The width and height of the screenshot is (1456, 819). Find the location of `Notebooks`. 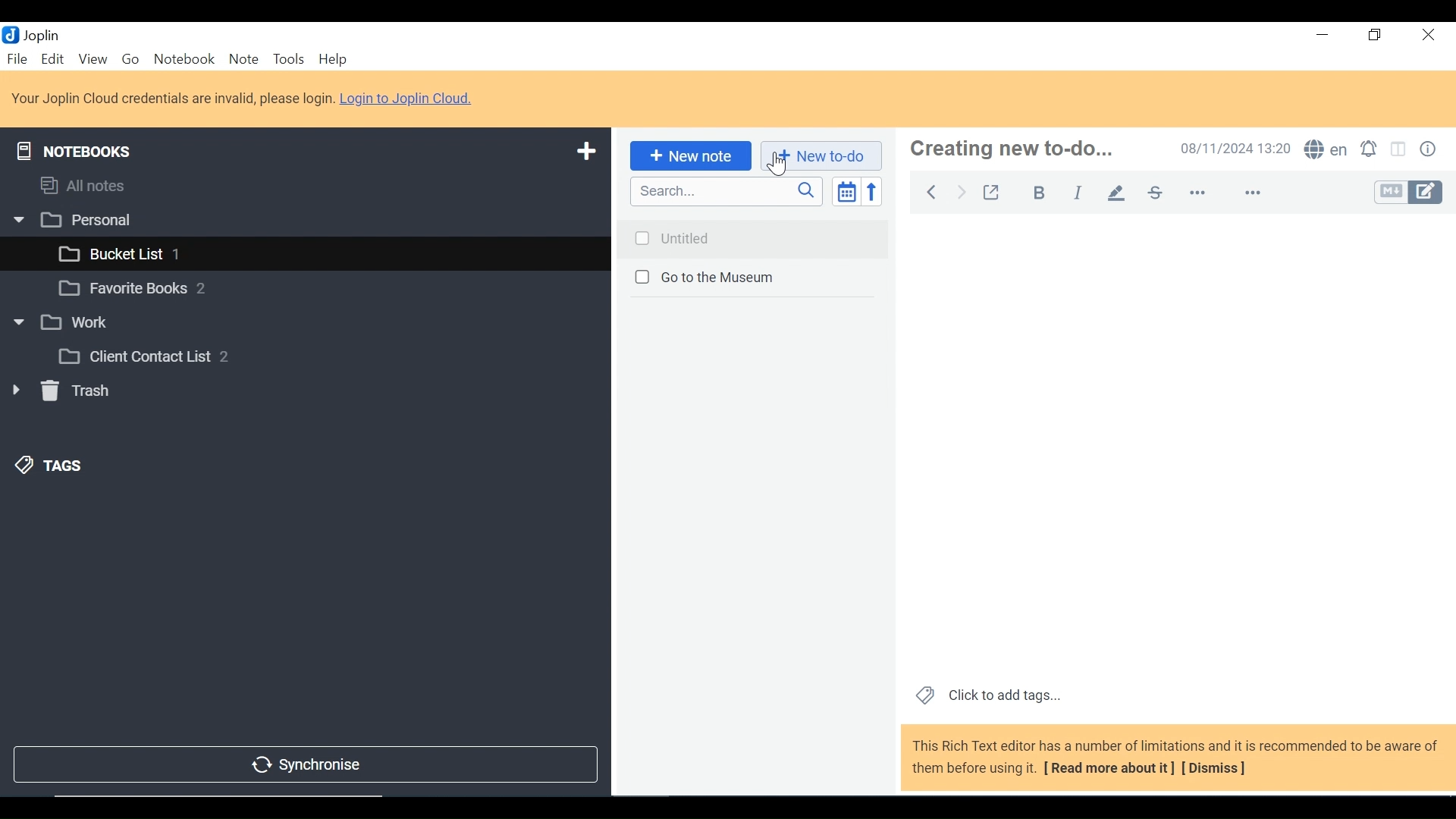

Notebooks is located at coordinates (74, 148).